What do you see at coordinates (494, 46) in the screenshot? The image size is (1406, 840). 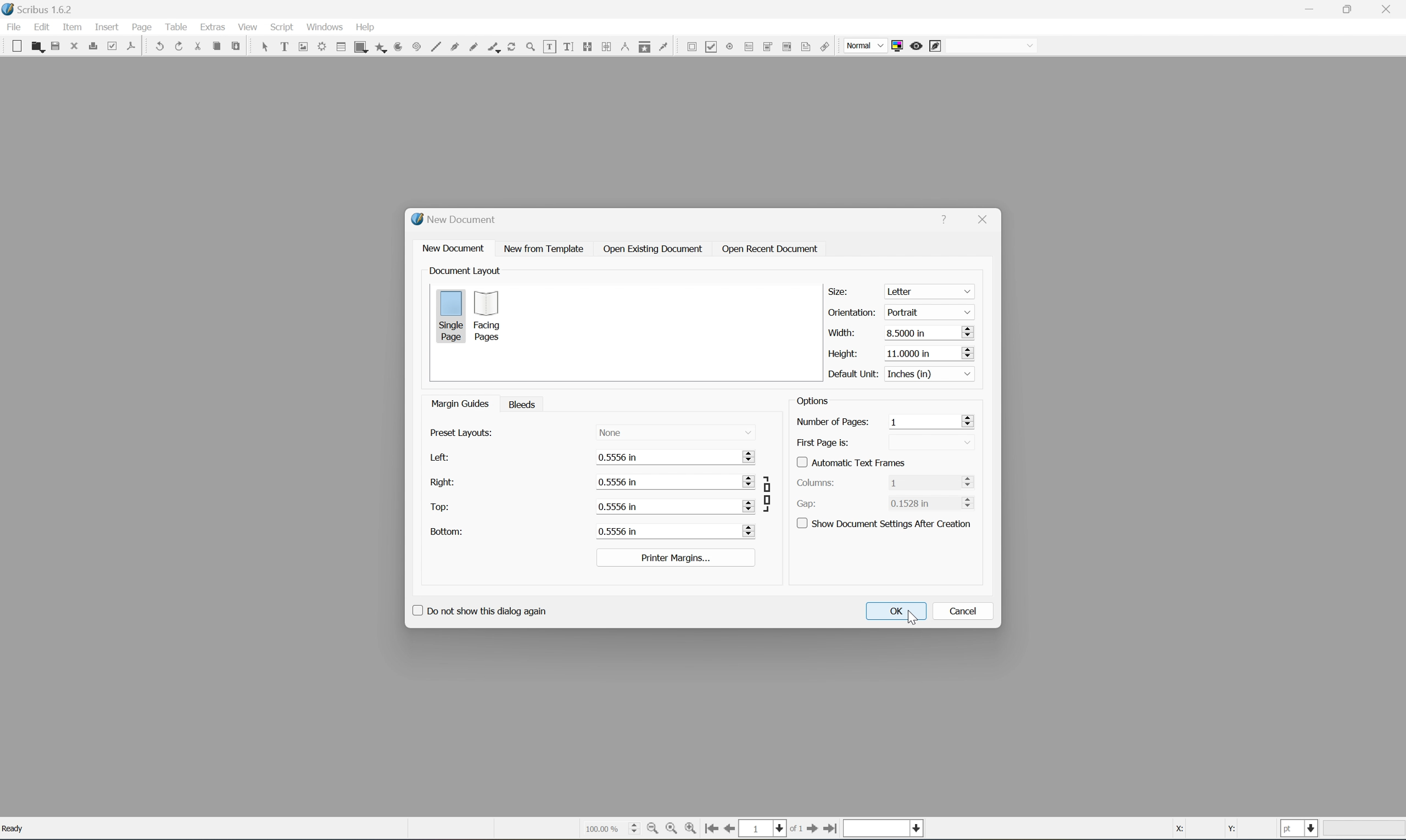 I see `calligraphic line` at bounding box center [494, 46].